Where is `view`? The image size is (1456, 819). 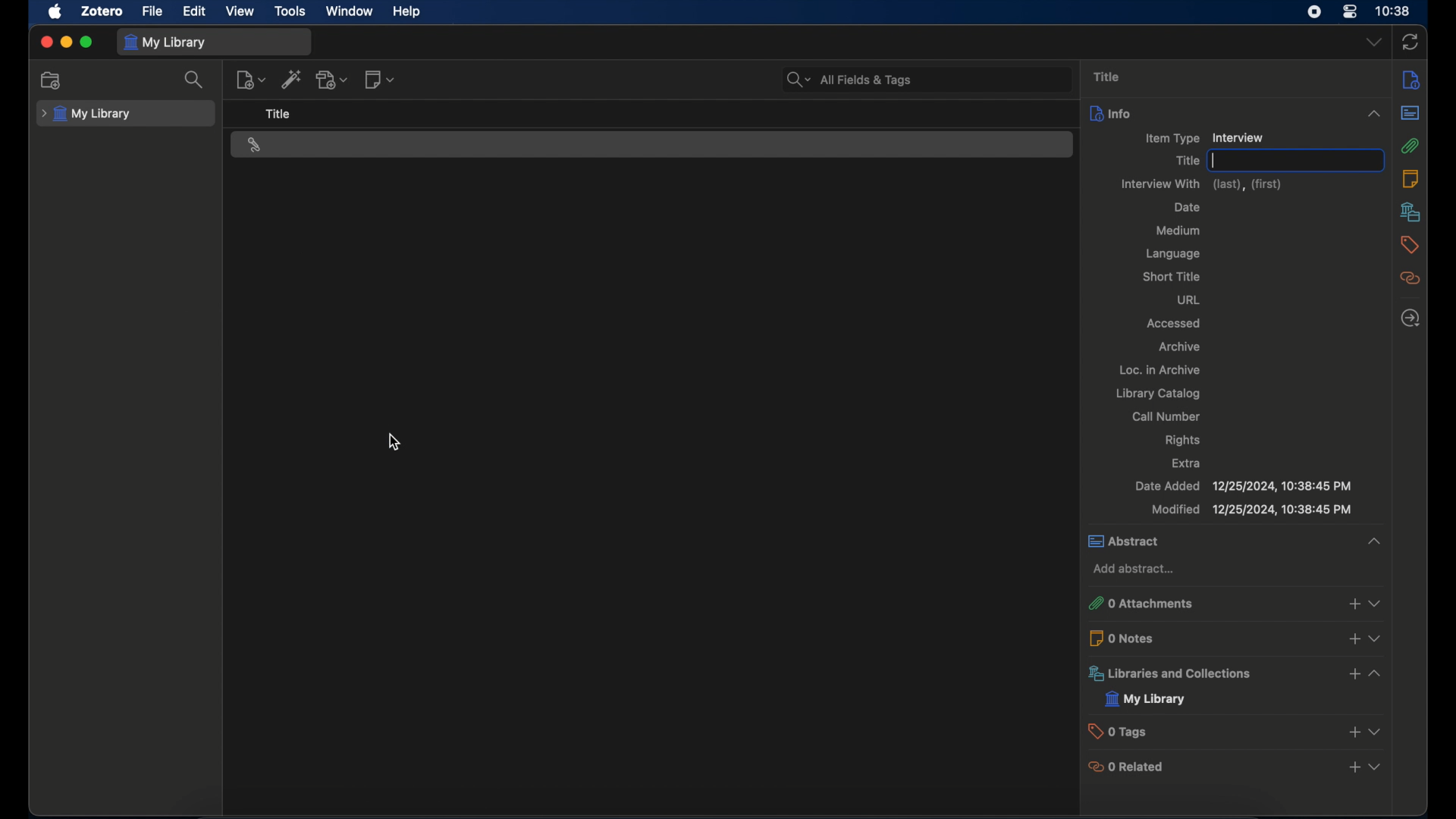
view is located at coordinates (1375, 767).